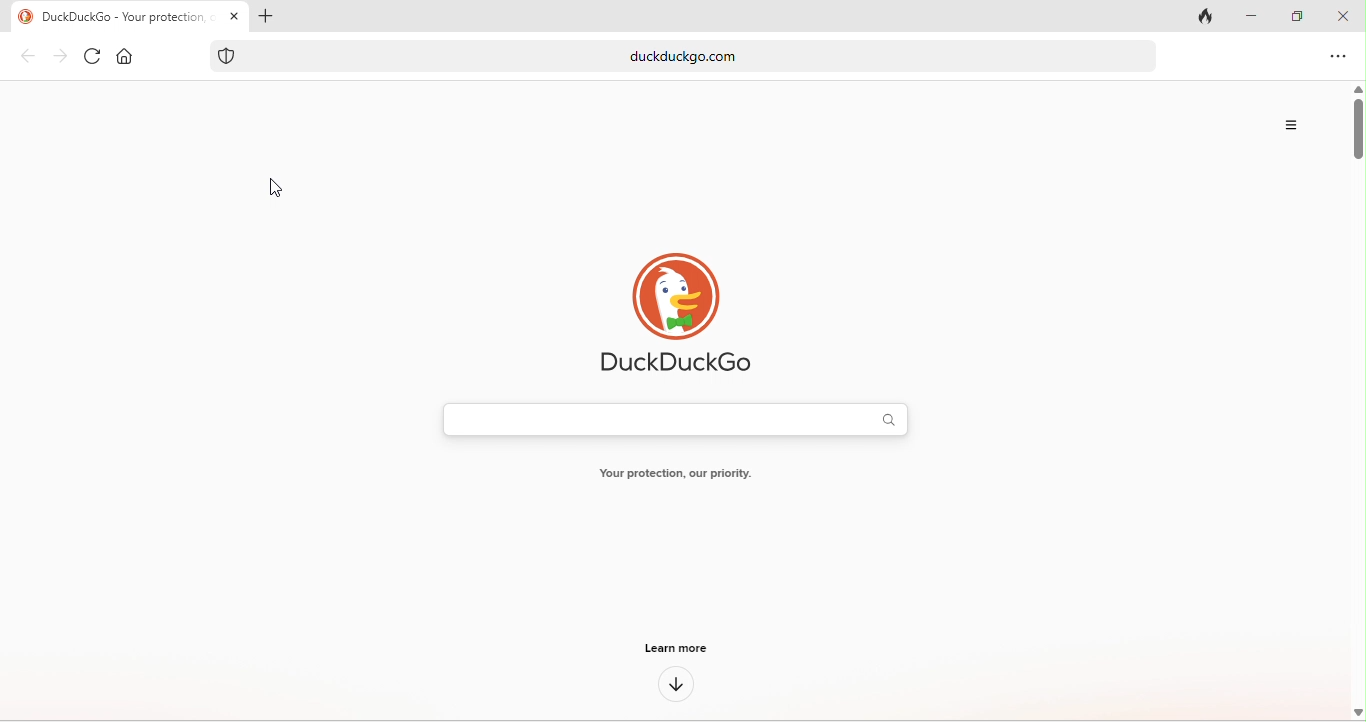  I want to click on duckduckgo.com, so click(704, 56).